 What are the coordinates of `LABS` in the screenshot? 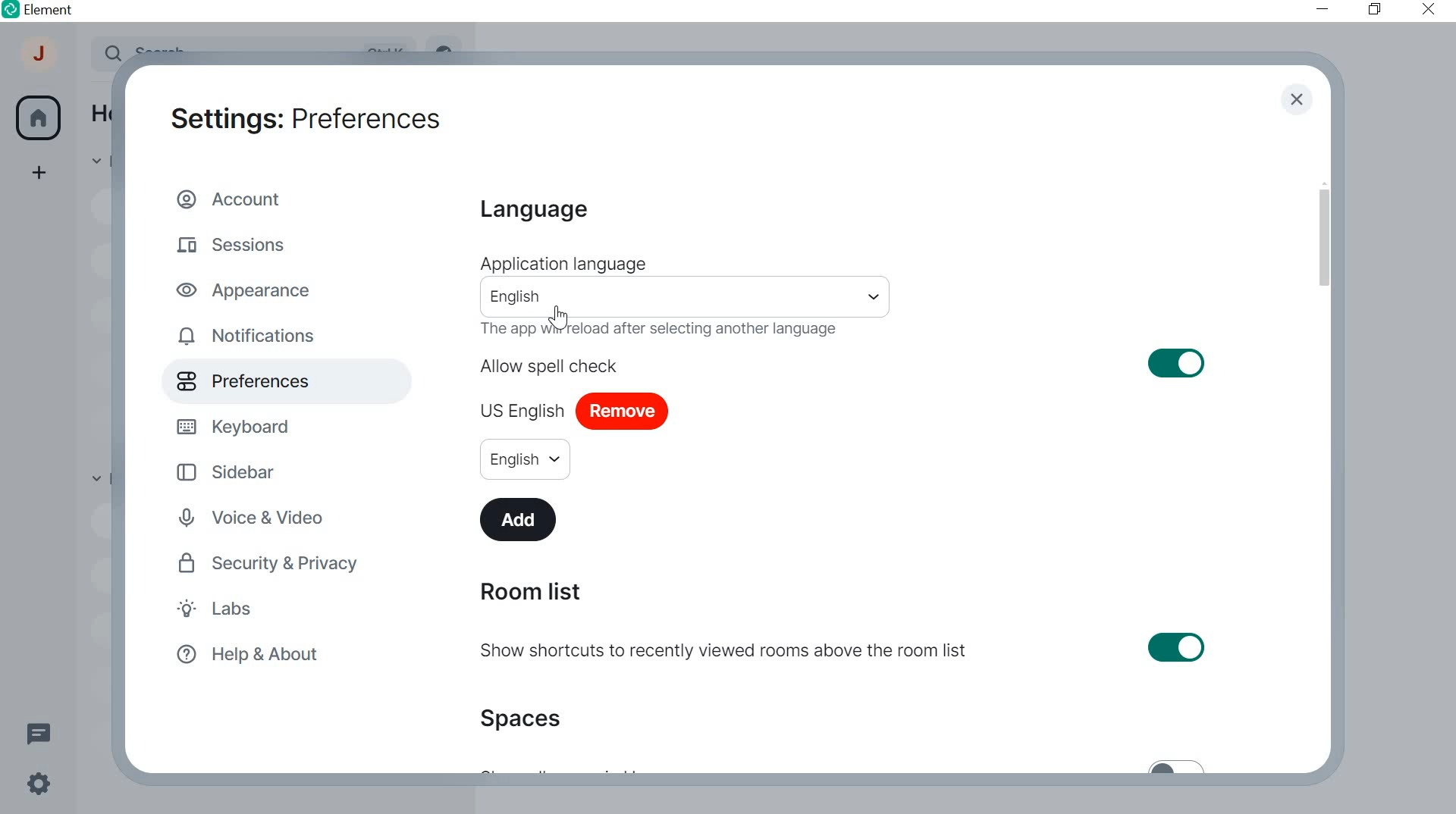 It's located at (246, 611).